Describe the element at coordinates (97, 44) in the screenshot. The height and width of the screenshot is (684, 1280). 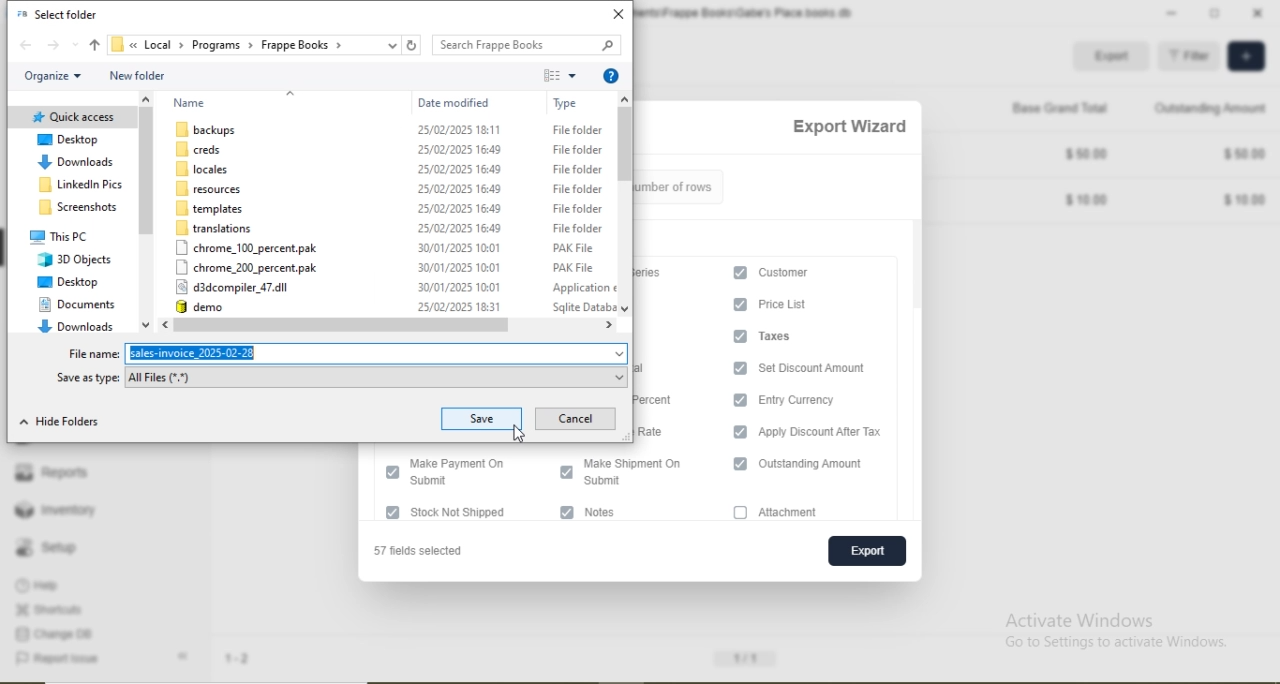
I see `move` at that location.